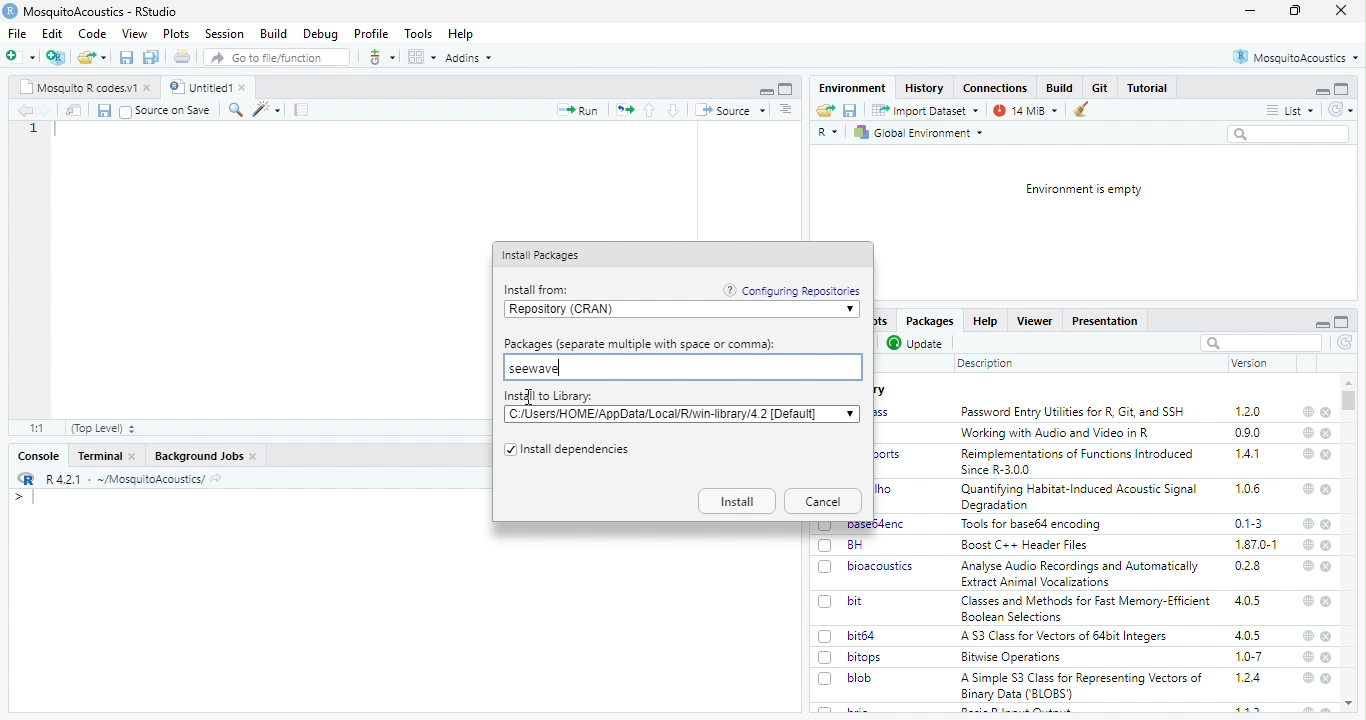 This screenshot has height=720, width=1366. I want to click on File, so click(19, 34).